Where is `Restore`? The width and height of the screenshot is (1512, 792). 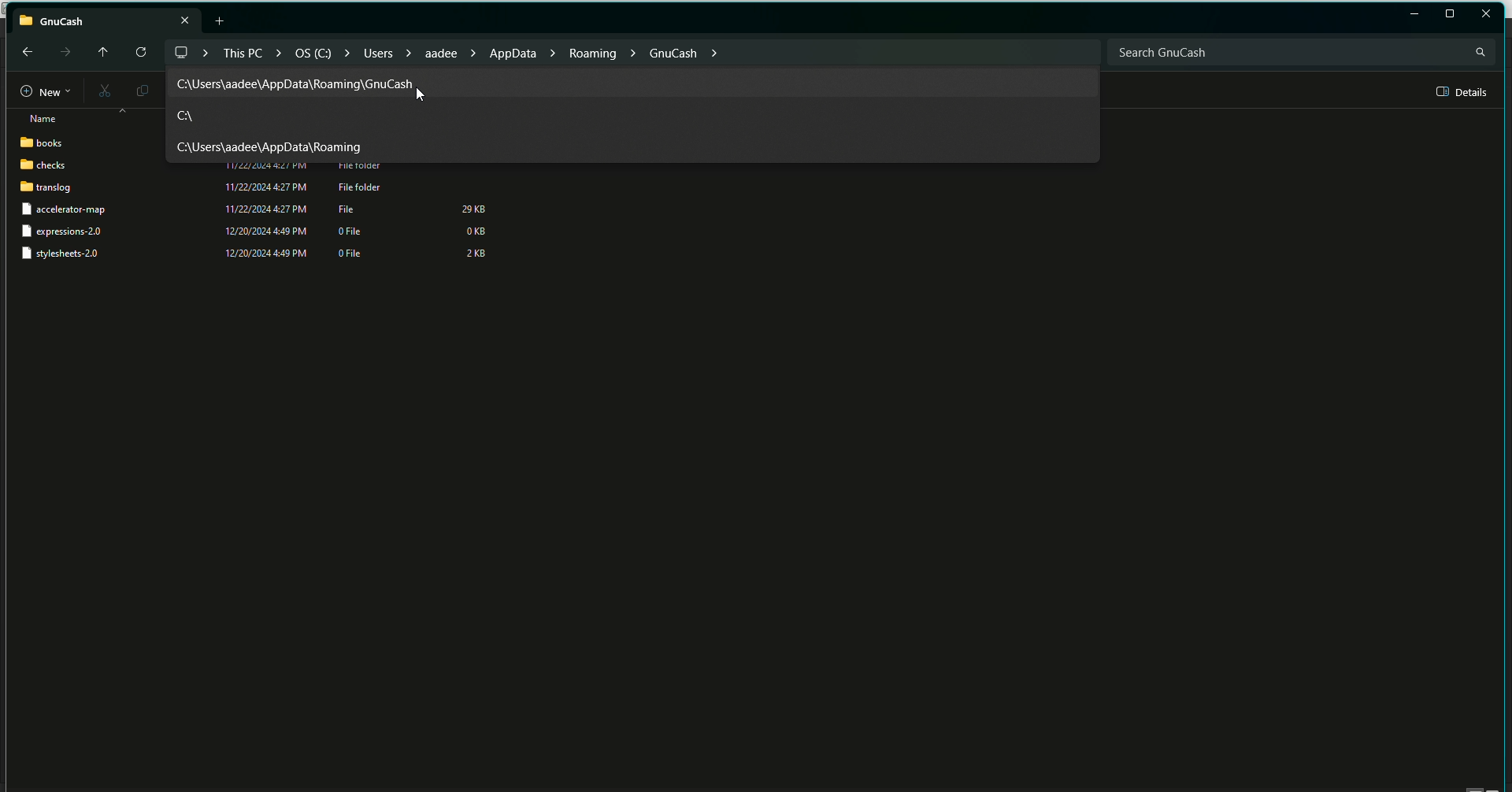 Restore is located at coordinates (1450, 14).